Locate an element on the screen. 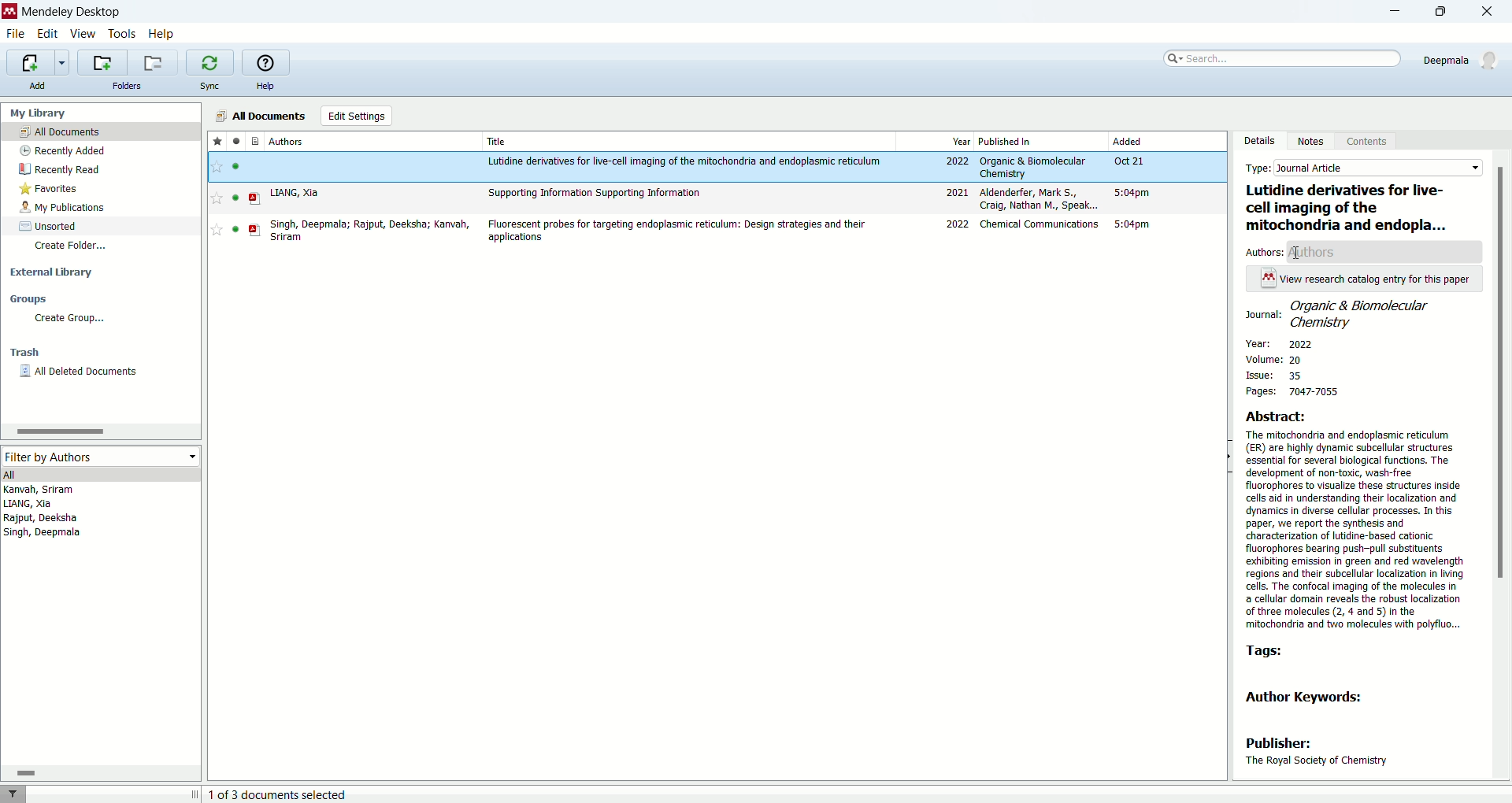 This screenshot has height=803, width=1512. 2022 is located at coordinates (956, 161).